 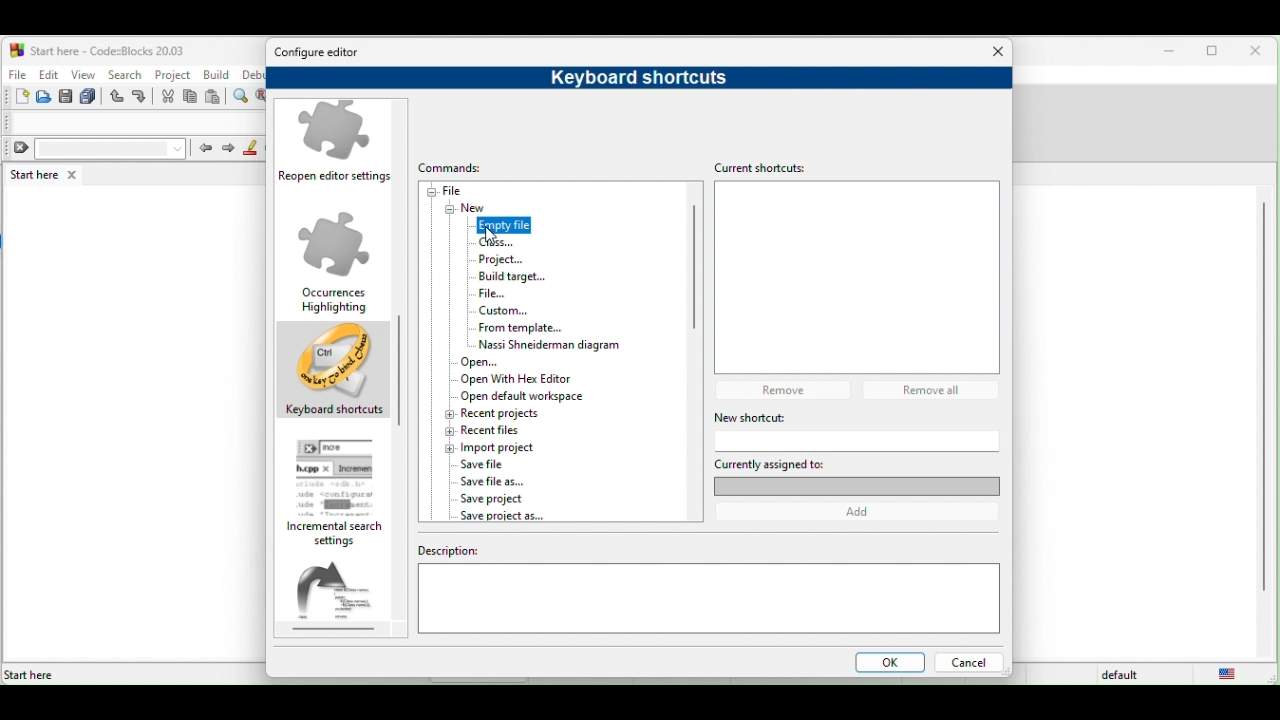 I want to click on cursor, so click(x=497, y=241).